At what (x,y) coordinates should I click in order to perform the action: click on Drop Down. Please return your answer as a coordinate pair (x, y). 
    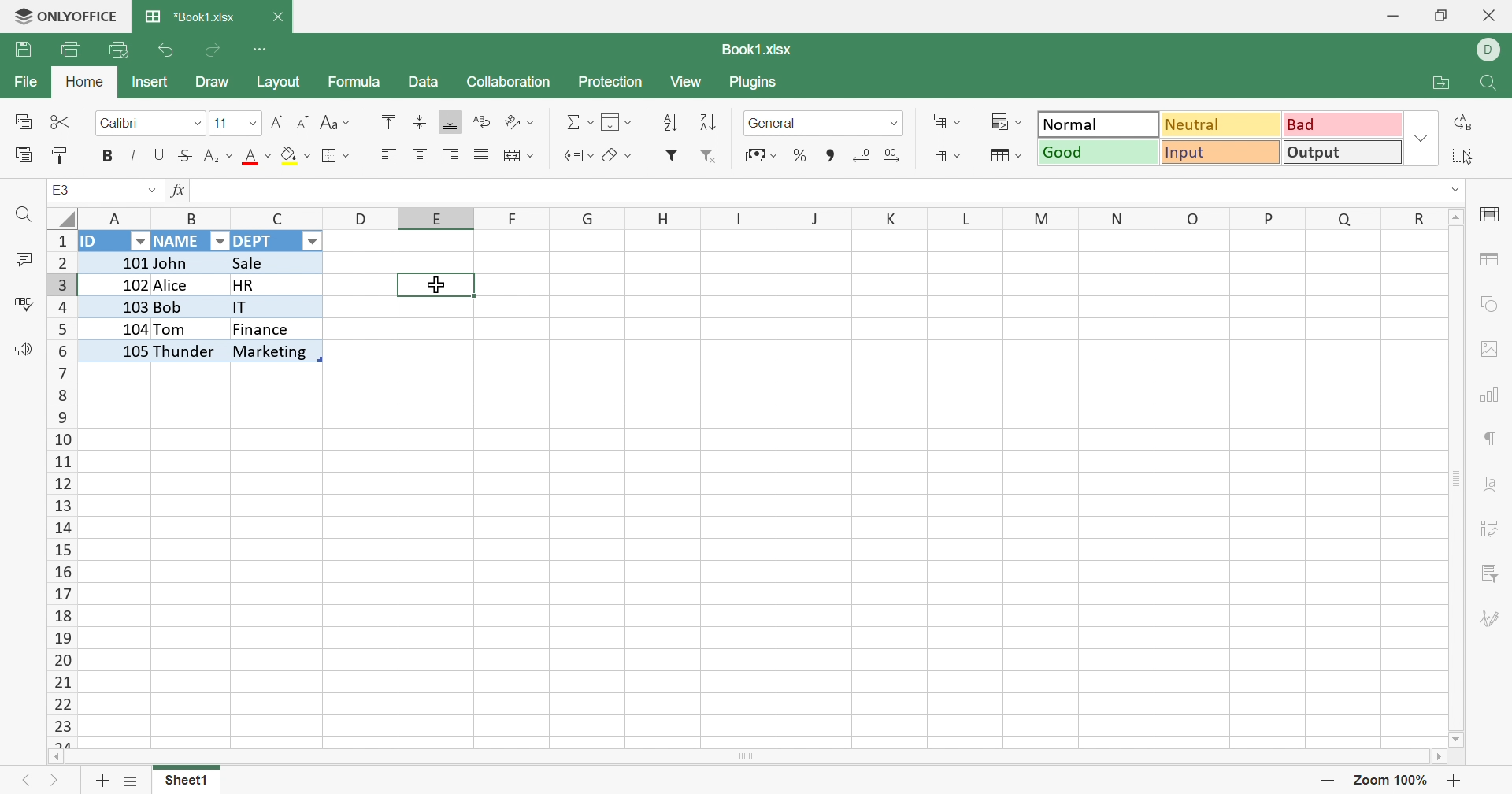
    Looking at the image, I should click on (1418, 139).